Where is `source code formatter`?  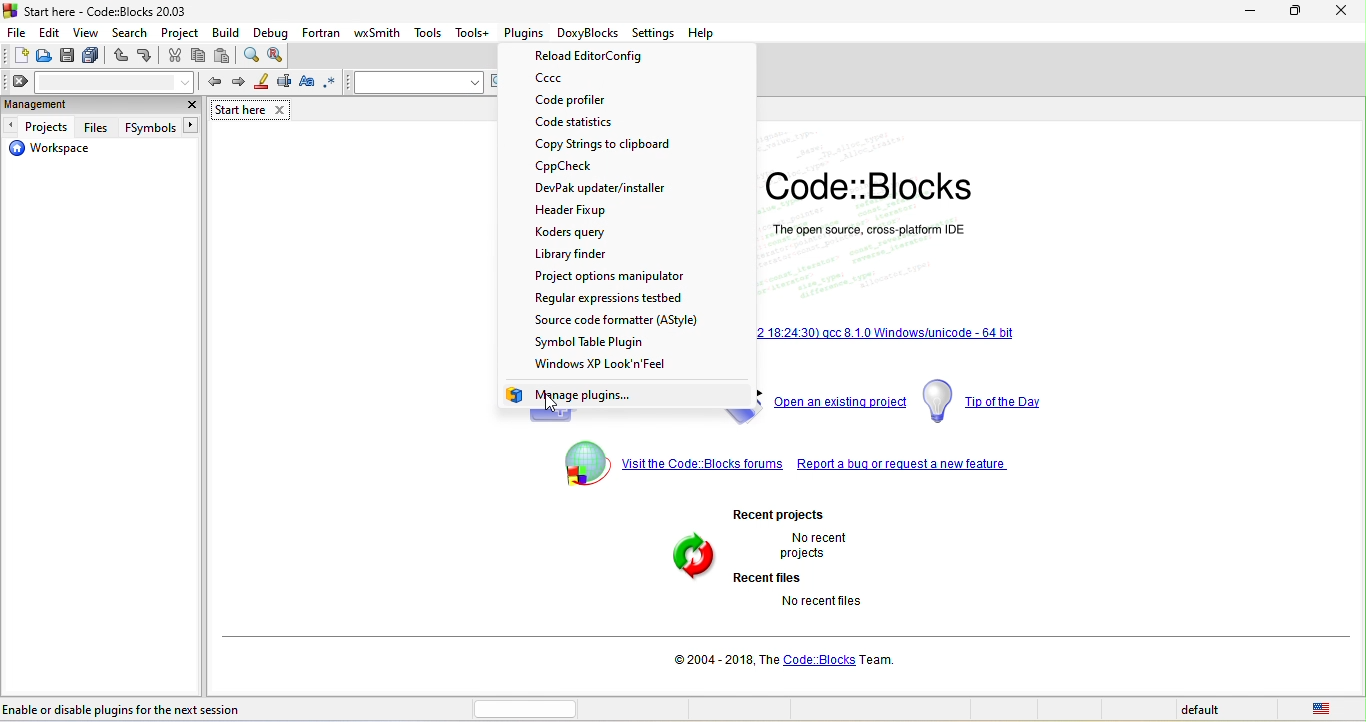
source code formatter is located at coordinates (619, 319).